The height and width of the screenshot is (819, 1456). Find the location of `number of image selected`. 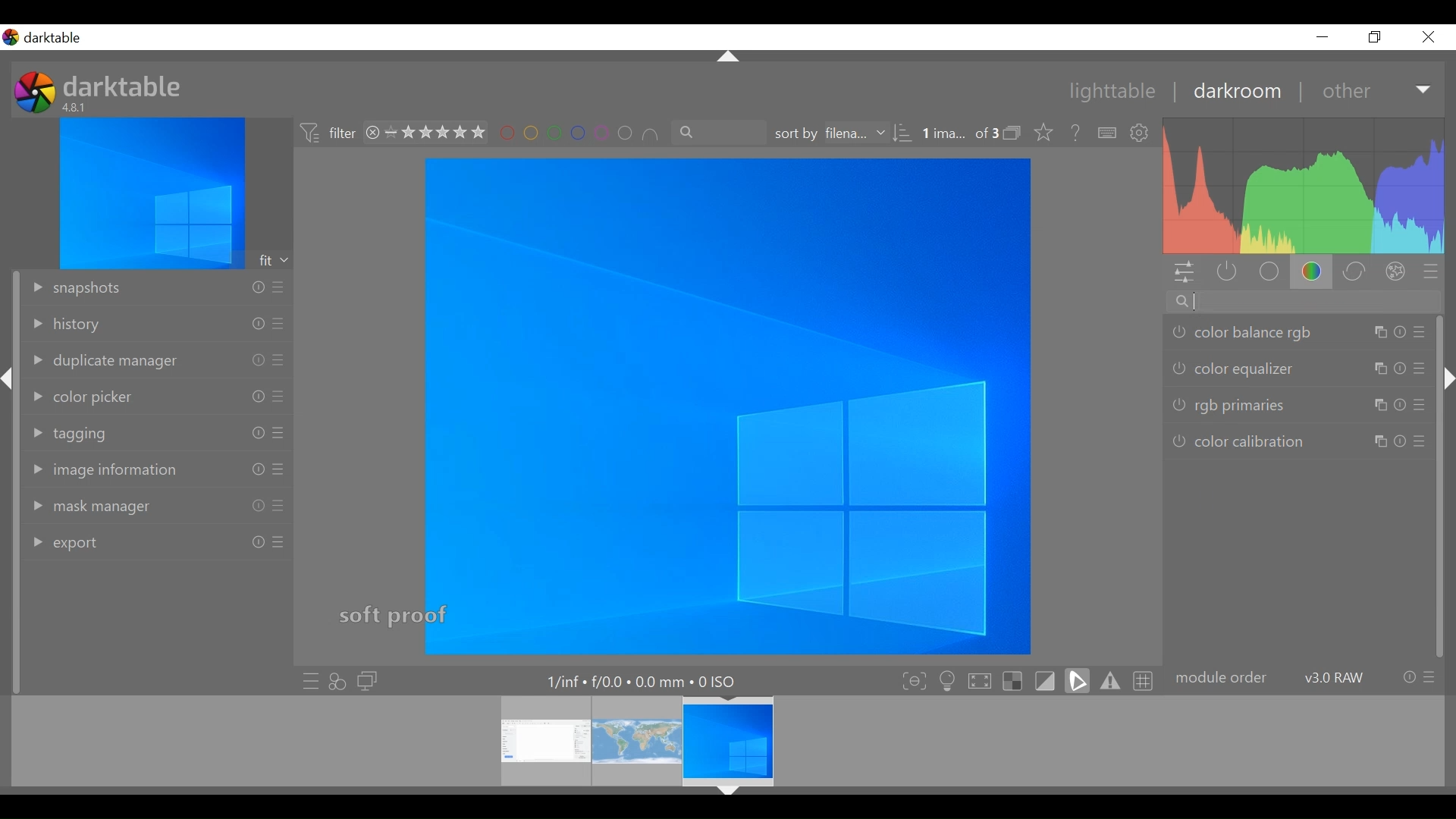

number of image selected is located at coordinates (959, 134).